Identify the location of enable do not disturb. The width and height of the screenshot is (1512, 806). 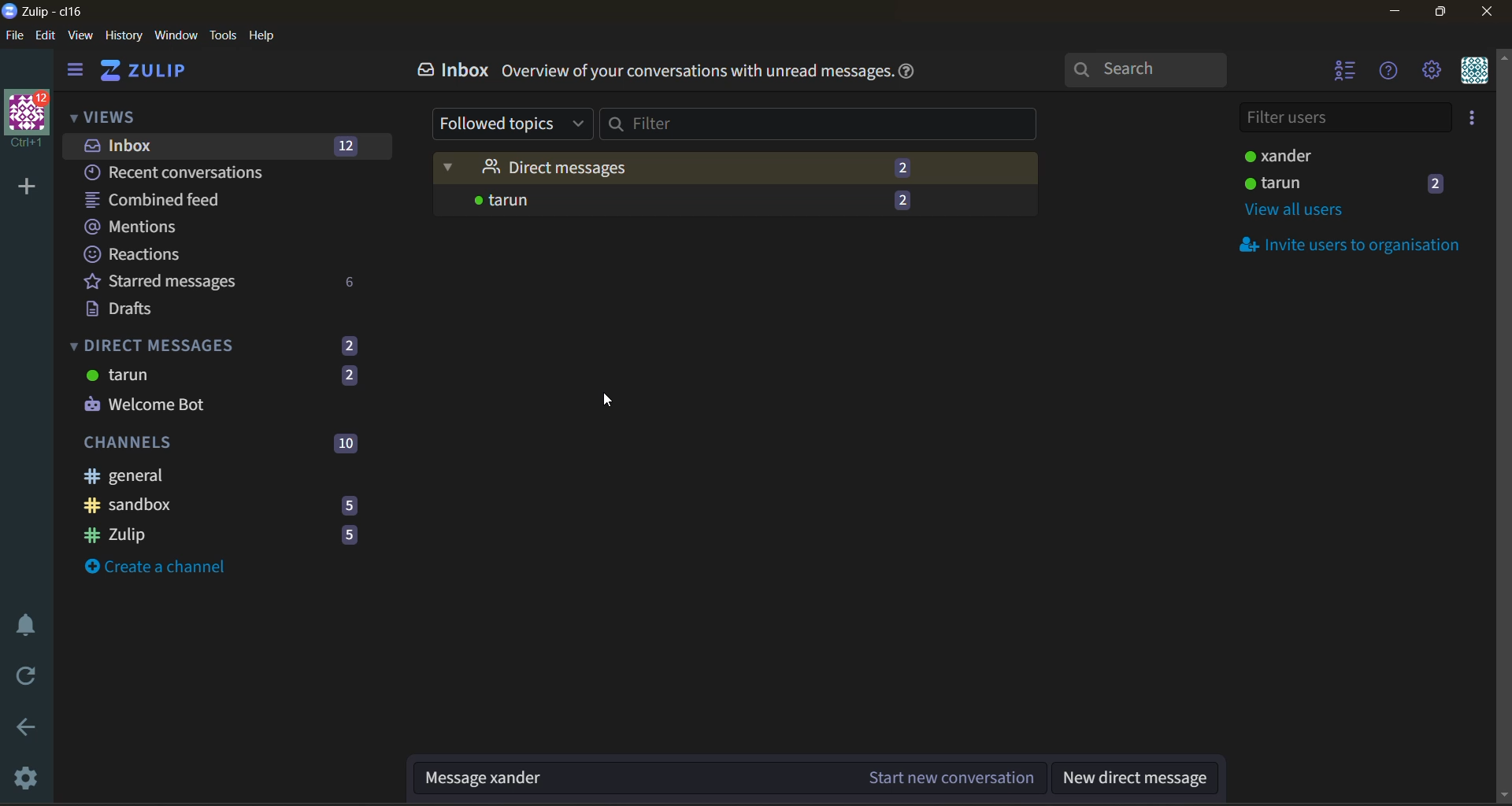
(27, 627).